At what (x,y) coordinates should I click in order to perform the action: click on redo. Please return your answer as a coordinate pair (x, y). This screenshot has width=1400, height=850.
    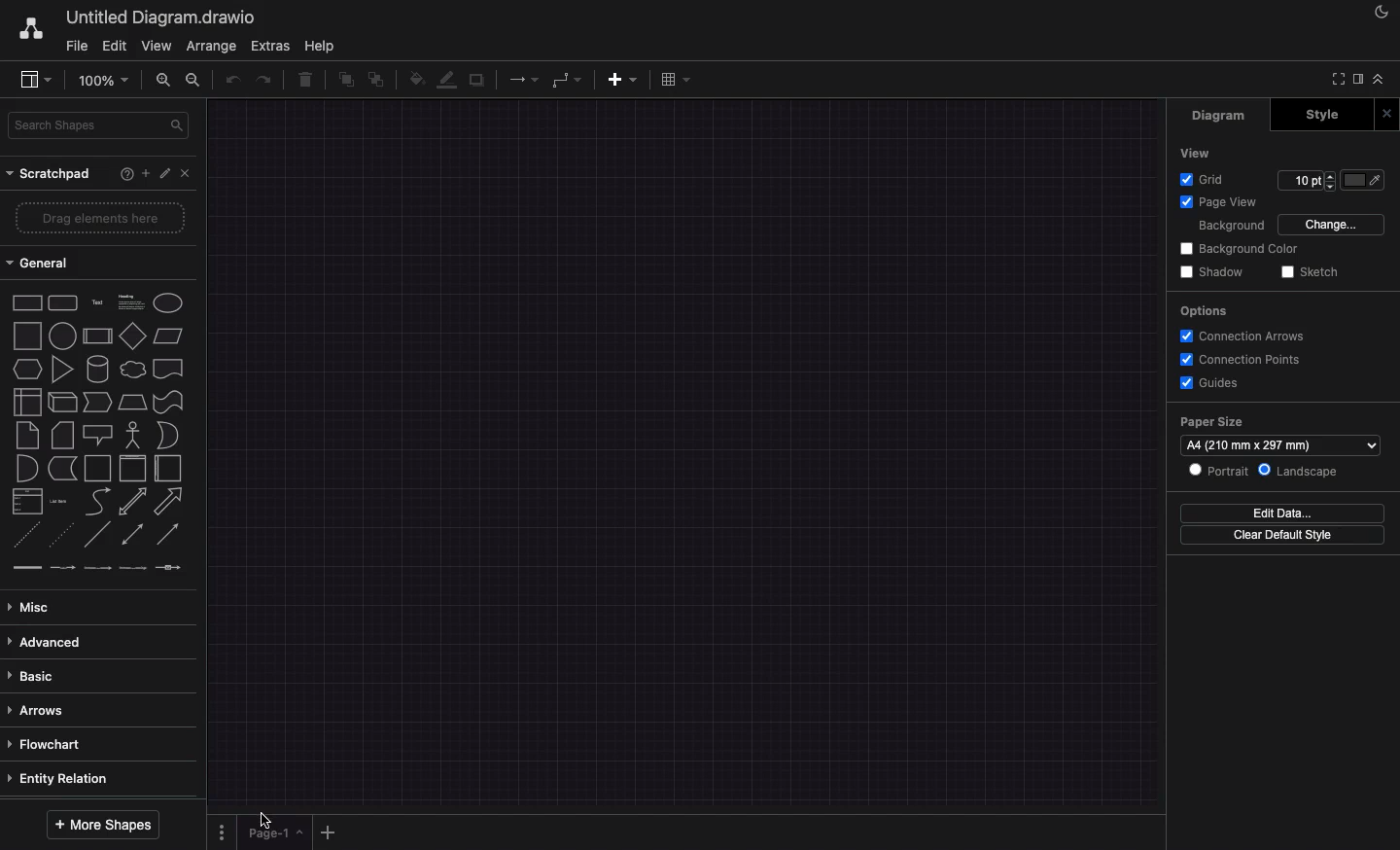
    Looking at the image, I should click on (263, 81).